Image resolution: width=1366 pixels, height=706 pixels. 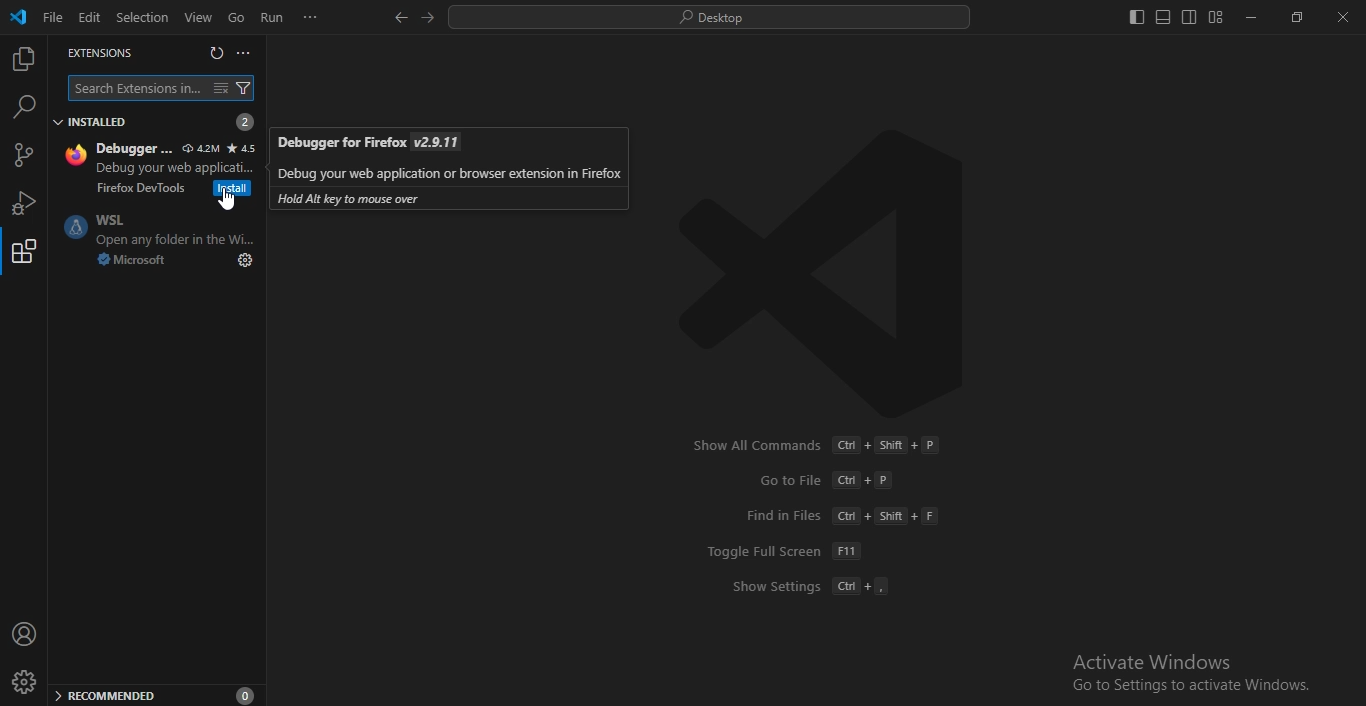 What do you see at coordinates (139, 189) in the screenshot?
I see `Firefox DevTools` at bounding box center [139, 189].